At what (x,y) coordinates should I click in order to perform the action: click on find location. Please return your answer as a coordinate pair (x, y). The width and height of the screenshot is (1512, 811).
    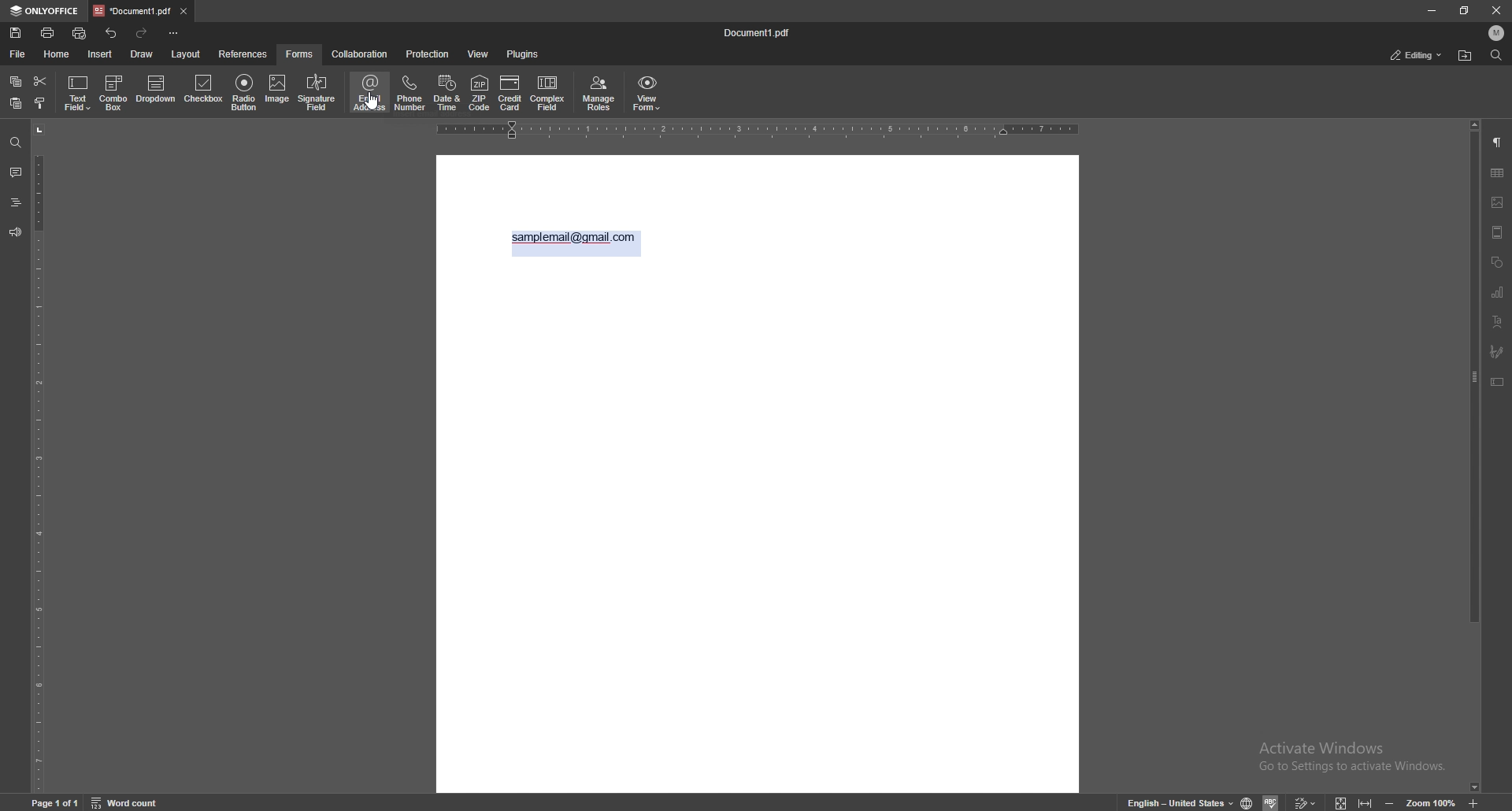
    Looking at the image, I should click on (1466, 55).